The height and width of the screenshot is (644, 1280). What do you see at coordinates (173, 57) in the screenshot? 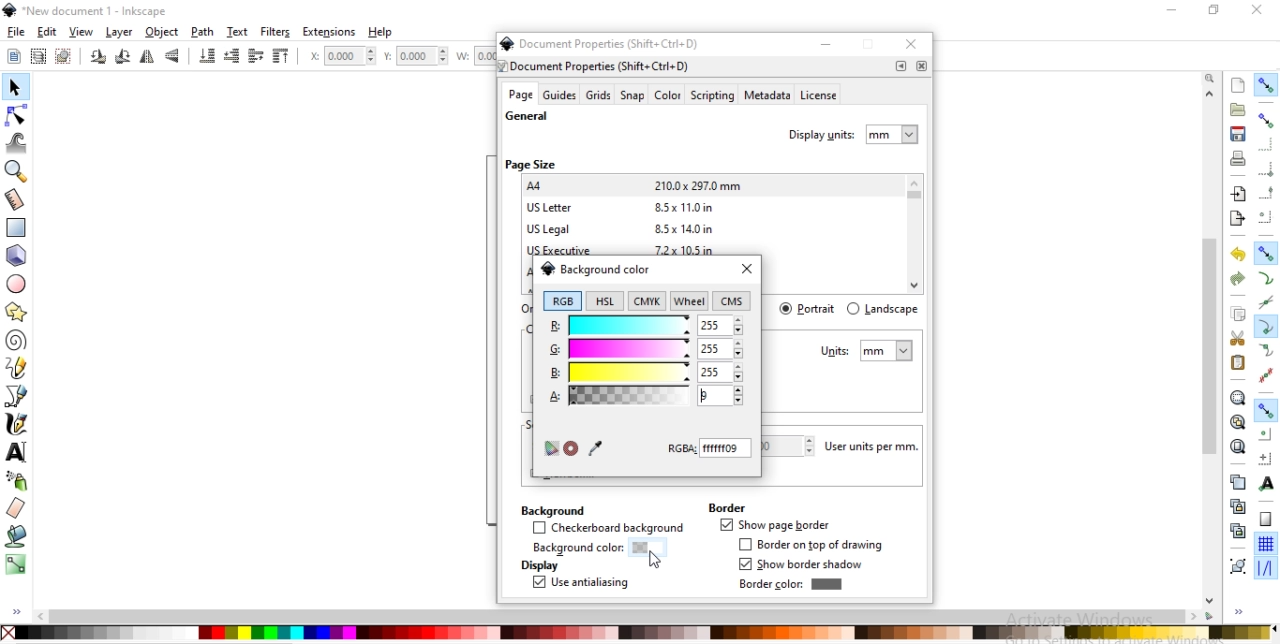
I see `flip vertically` at bounding box center [173, 57].